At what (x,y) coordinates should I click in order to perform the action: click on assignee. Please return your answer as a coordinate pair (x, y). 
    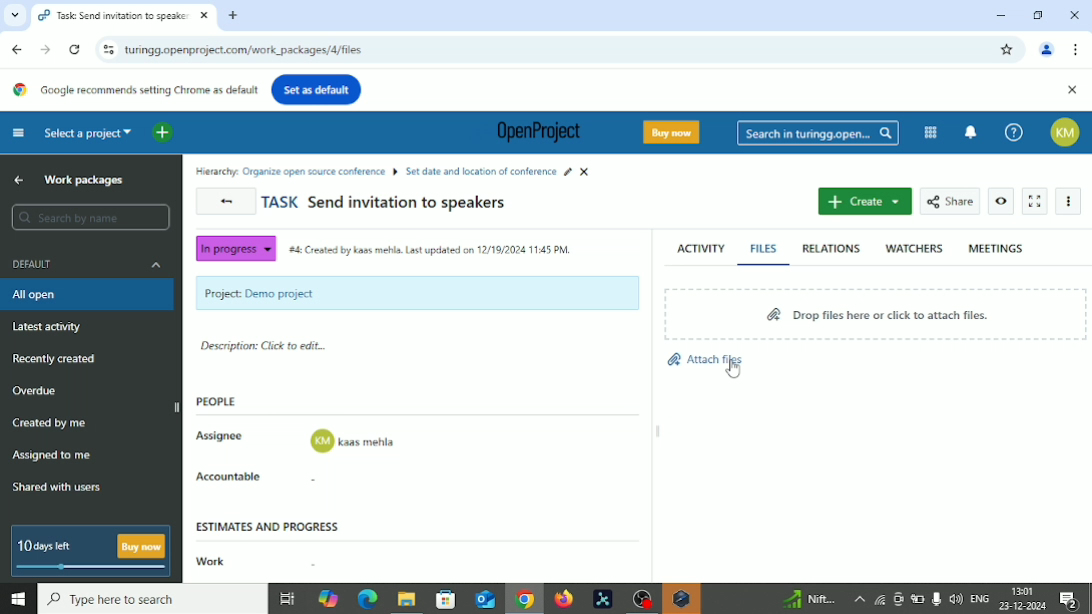
    Looking at the image, I should click on (354, 442).